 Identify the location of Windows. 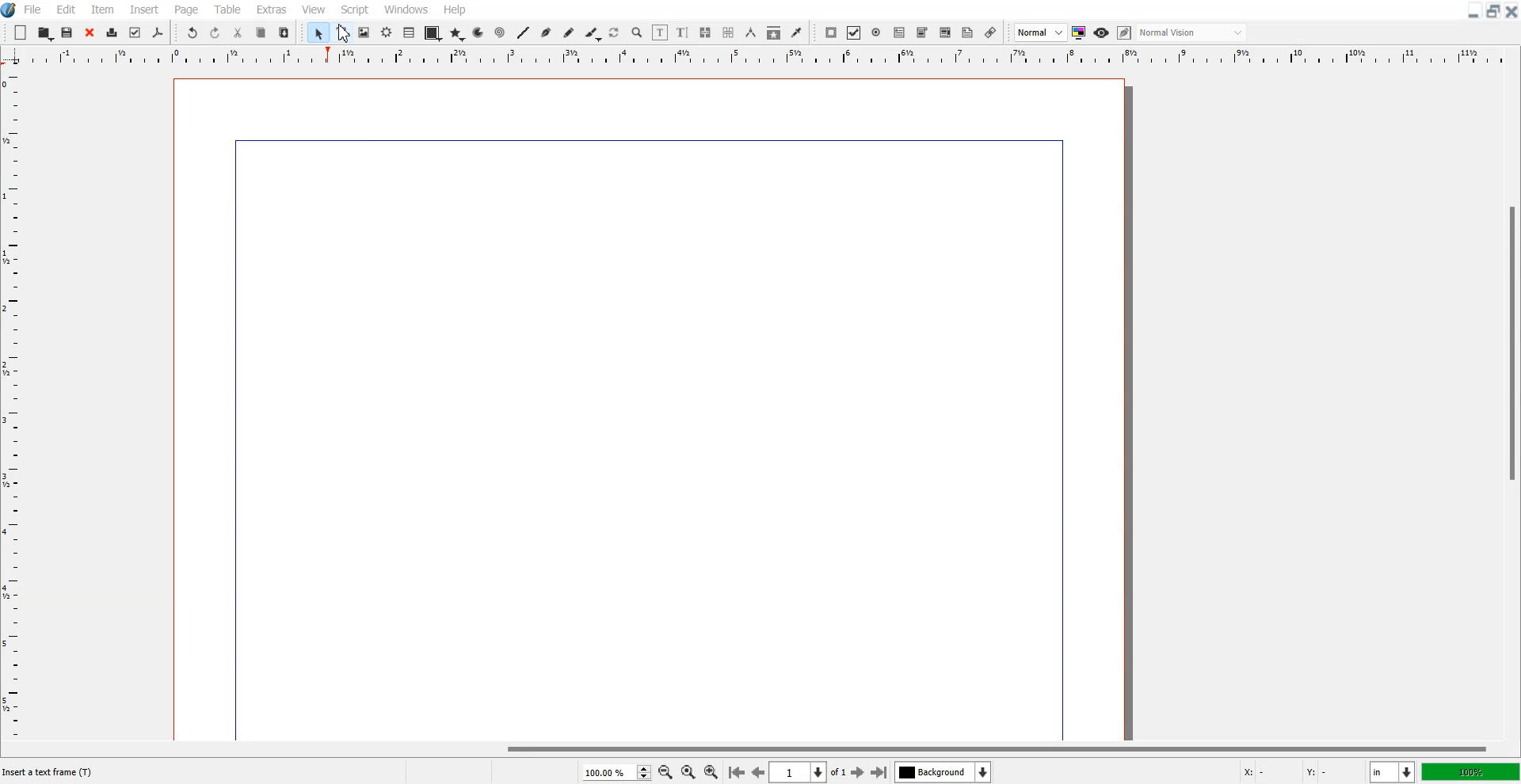
(407, 9).